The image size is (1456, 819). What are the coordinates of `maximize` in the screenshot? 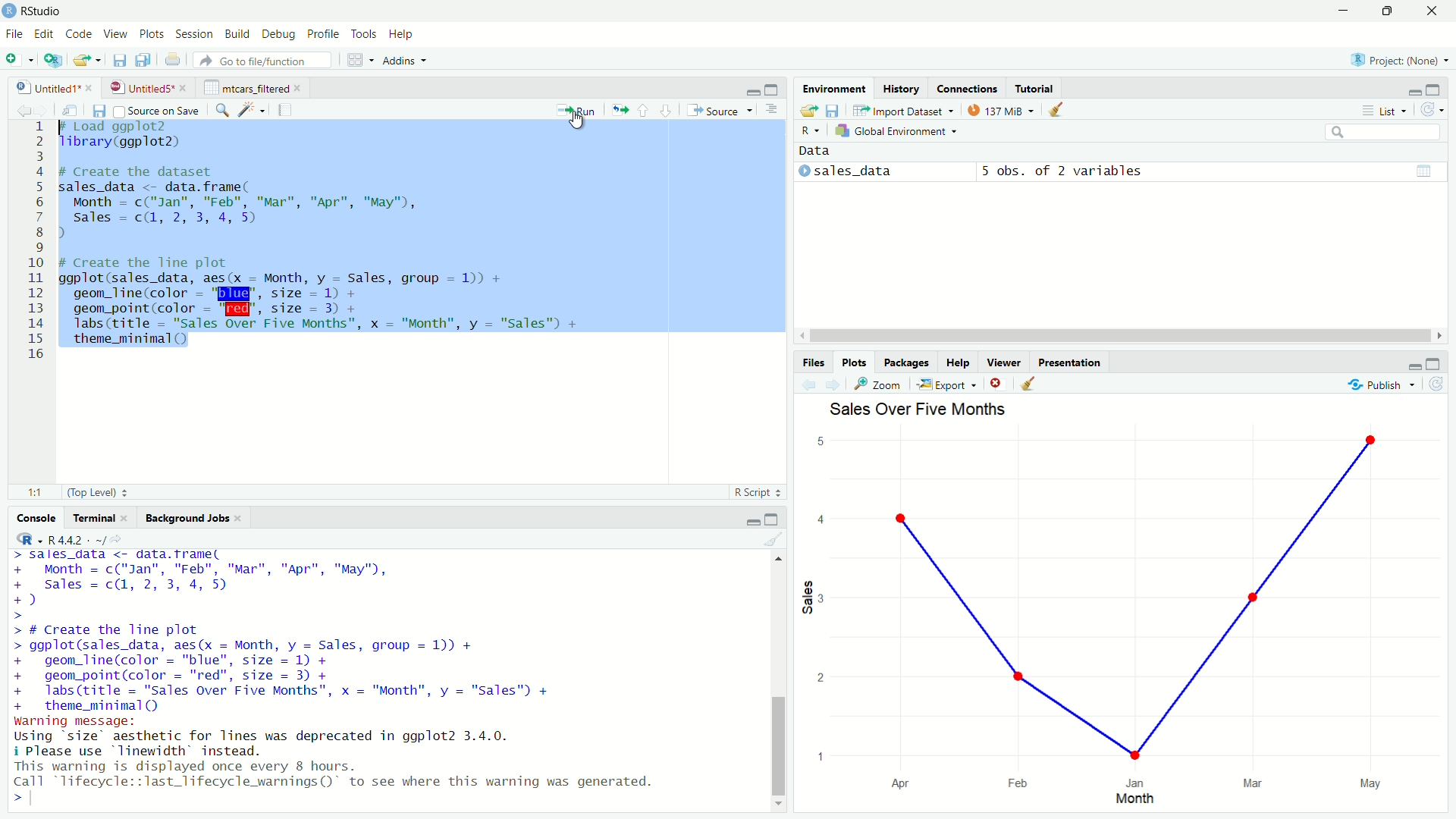 It's located at (1437, 89).